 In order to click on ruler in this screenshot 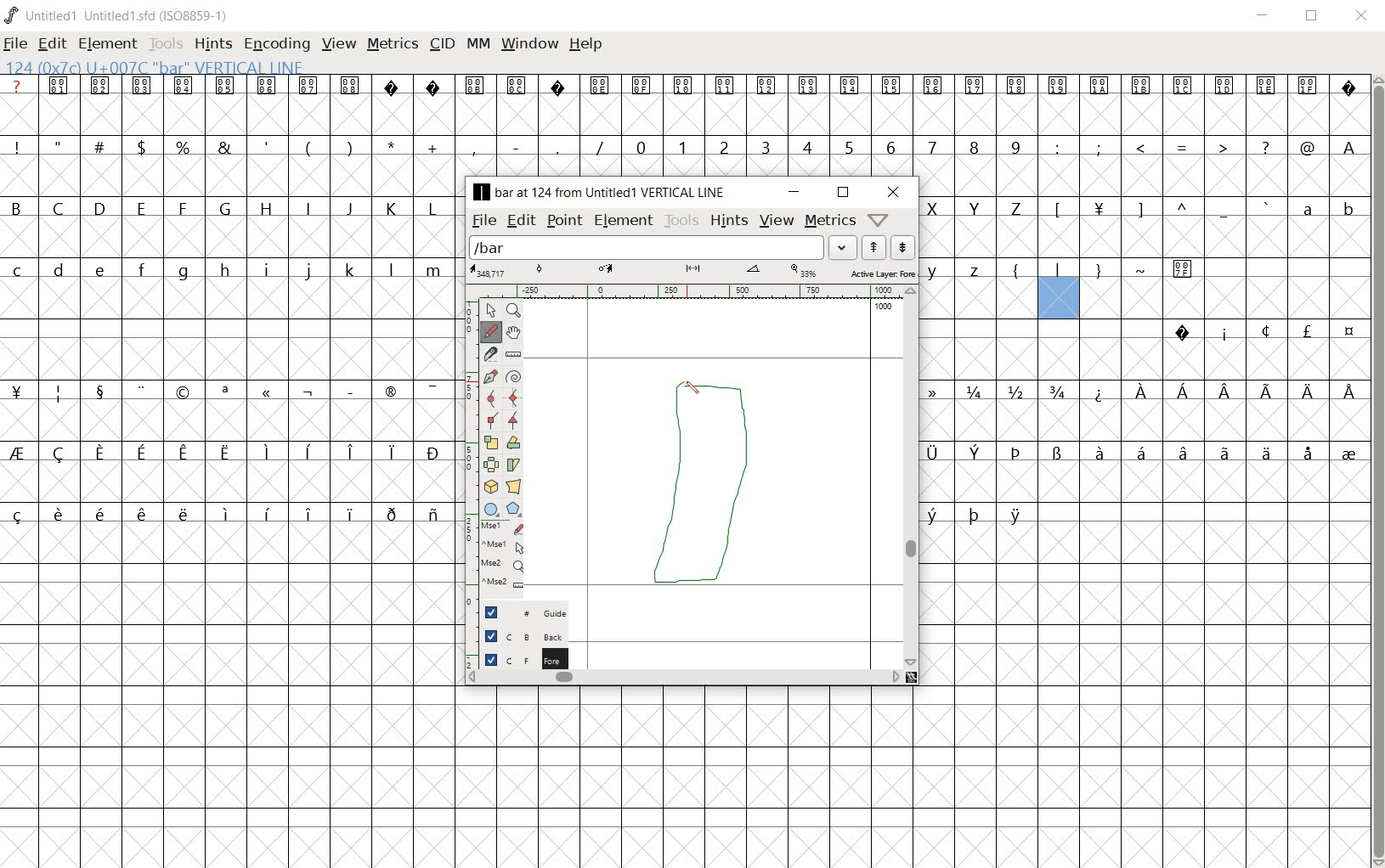, I will do `click(682, 290)`.